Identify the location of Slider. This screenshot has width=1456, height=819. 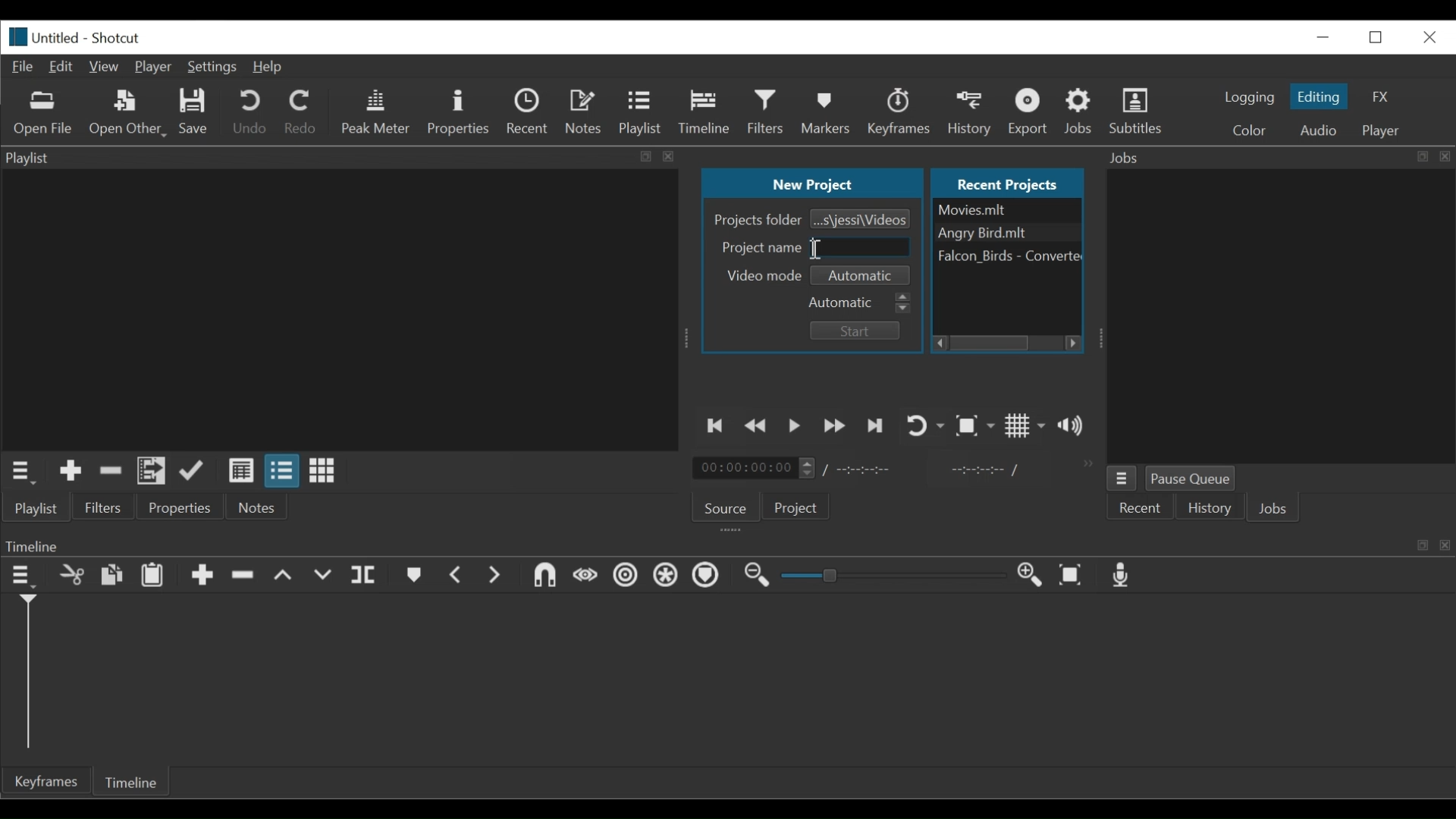
(896, 575).